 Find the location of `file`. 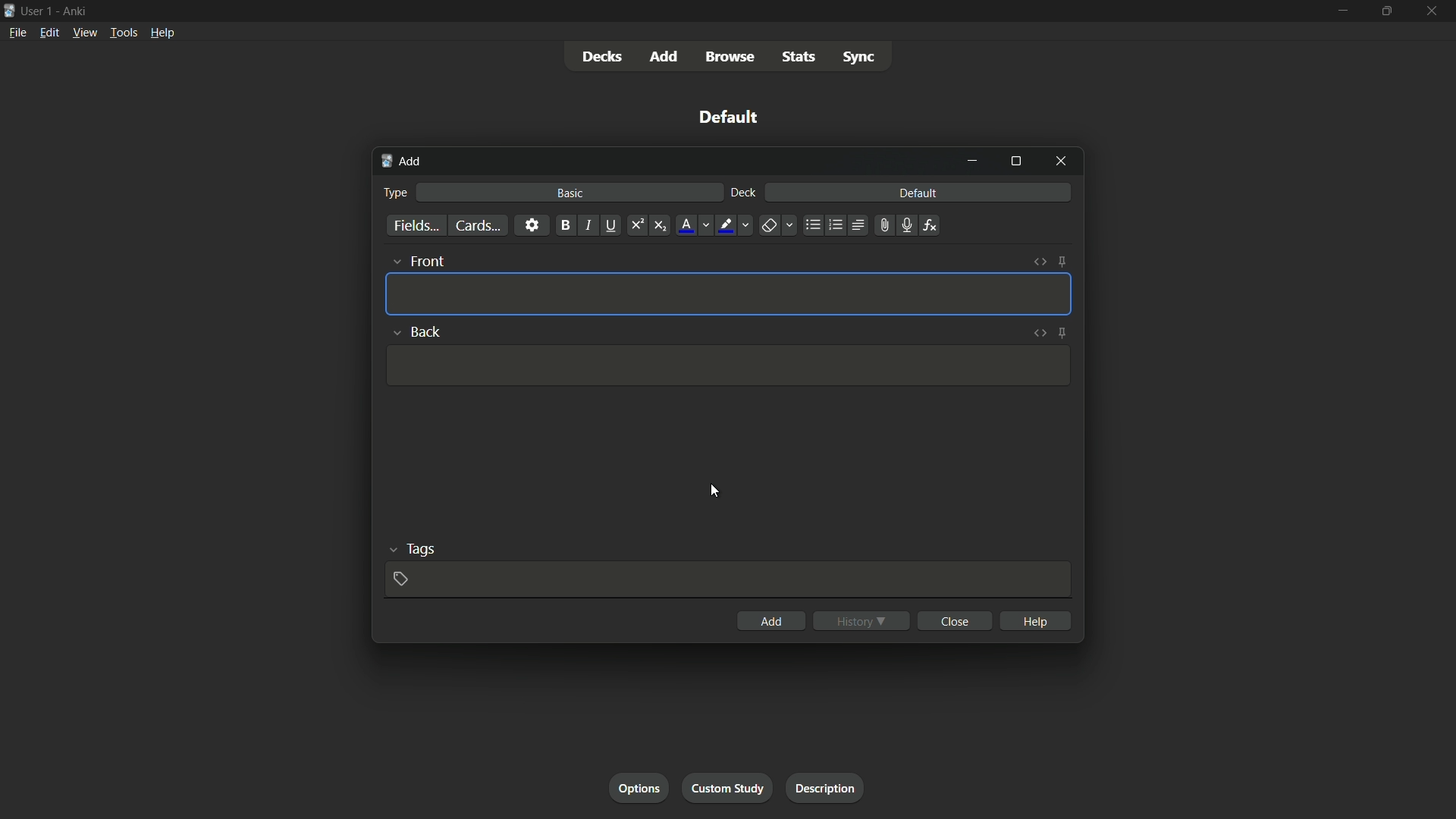

file is located at coordinates (15, 32).